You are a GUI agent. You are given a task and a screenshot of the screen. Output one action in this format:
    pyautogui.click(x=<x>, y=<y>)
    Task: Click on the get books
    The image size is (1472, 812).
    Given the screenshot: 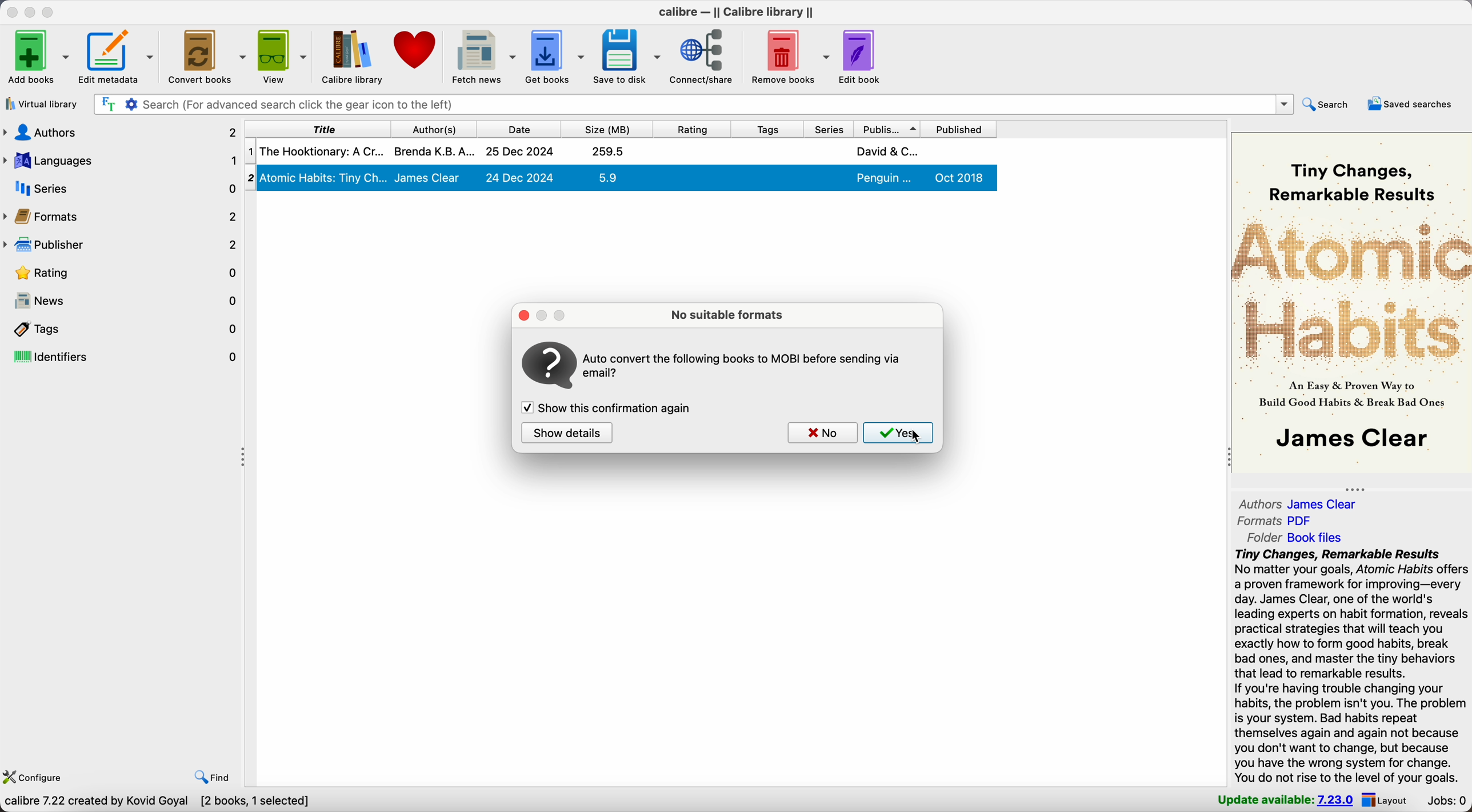 What is the action you would take?
    pyautogui.click(x=557, y=56)
    